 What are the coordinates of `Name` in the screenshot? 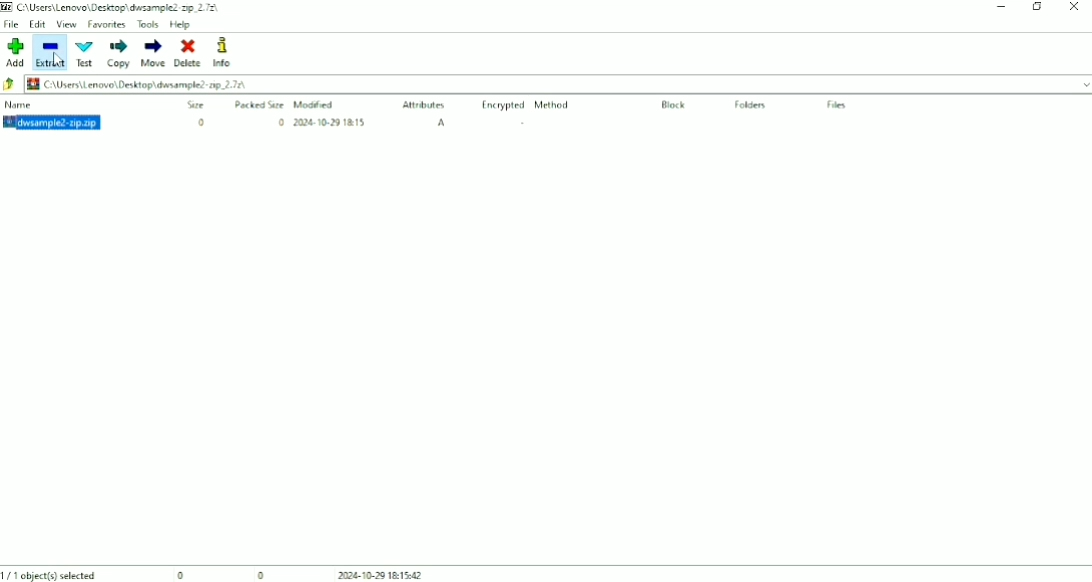 It's located at (20, 105).